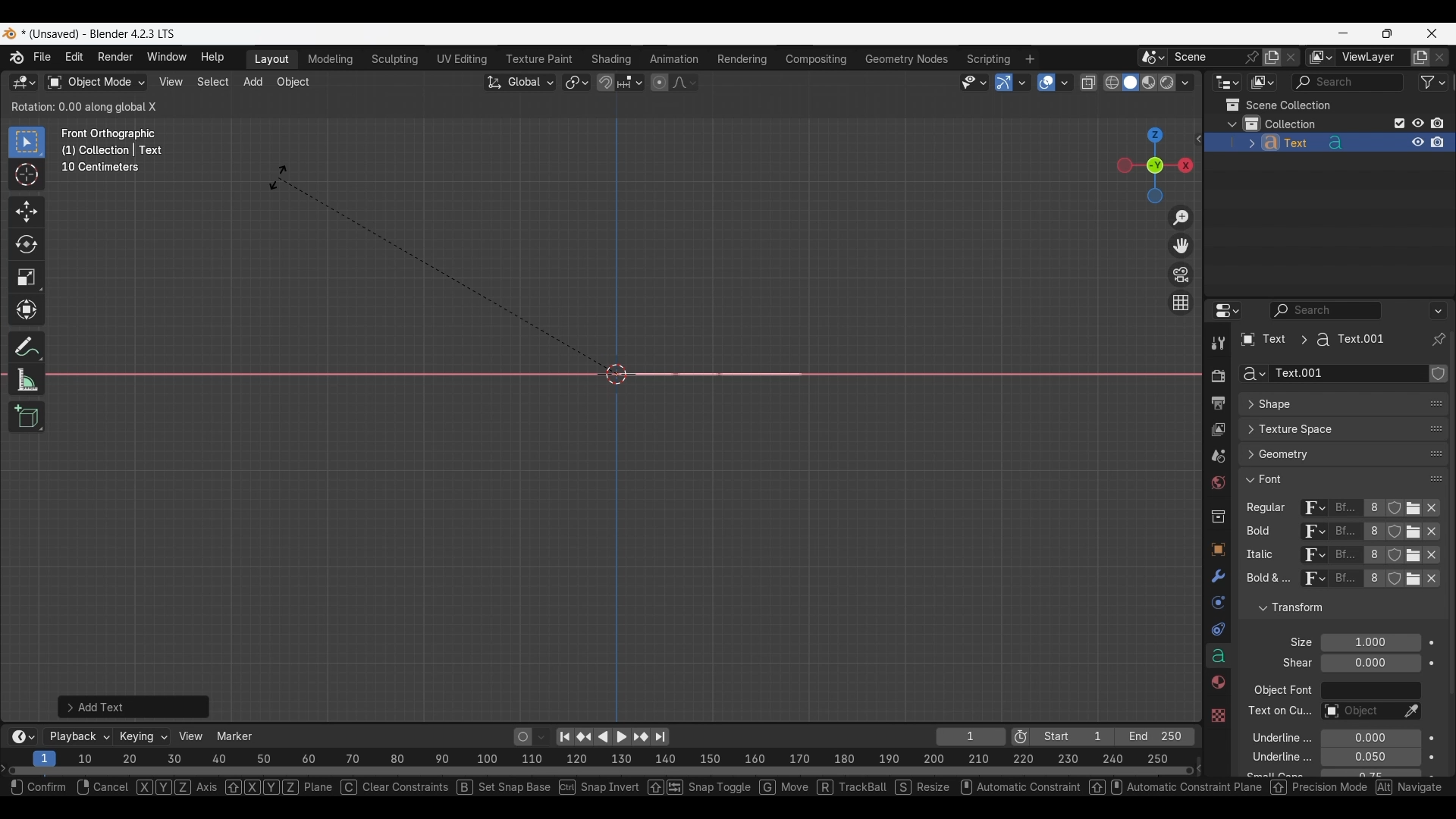  Describe the element at coordinates (1165, 107) in the screenshot. I see `Transform options` at that location.